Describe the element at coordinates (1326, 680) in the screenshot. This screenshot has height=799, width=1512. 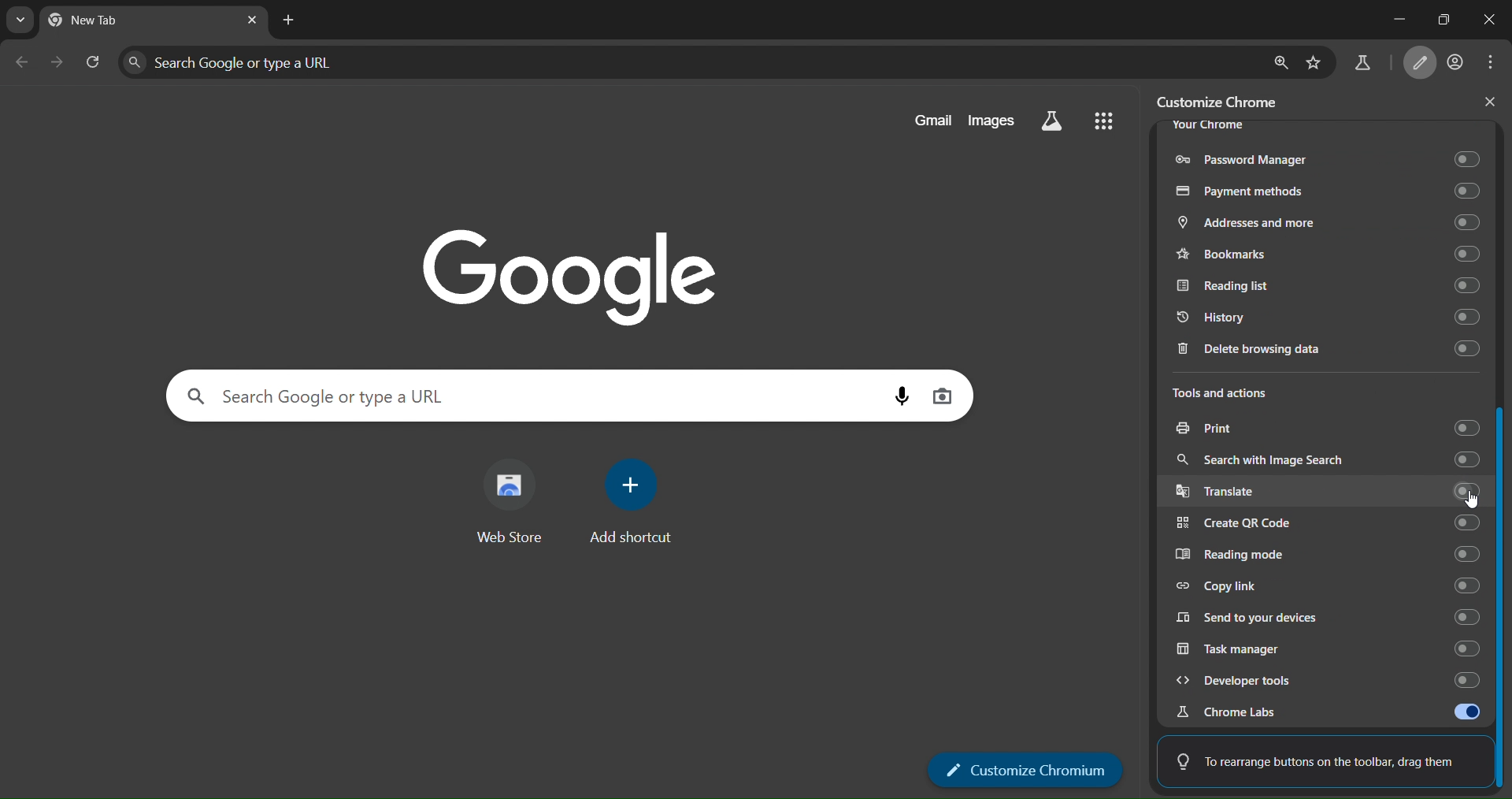
I see `developer tools` at that location.